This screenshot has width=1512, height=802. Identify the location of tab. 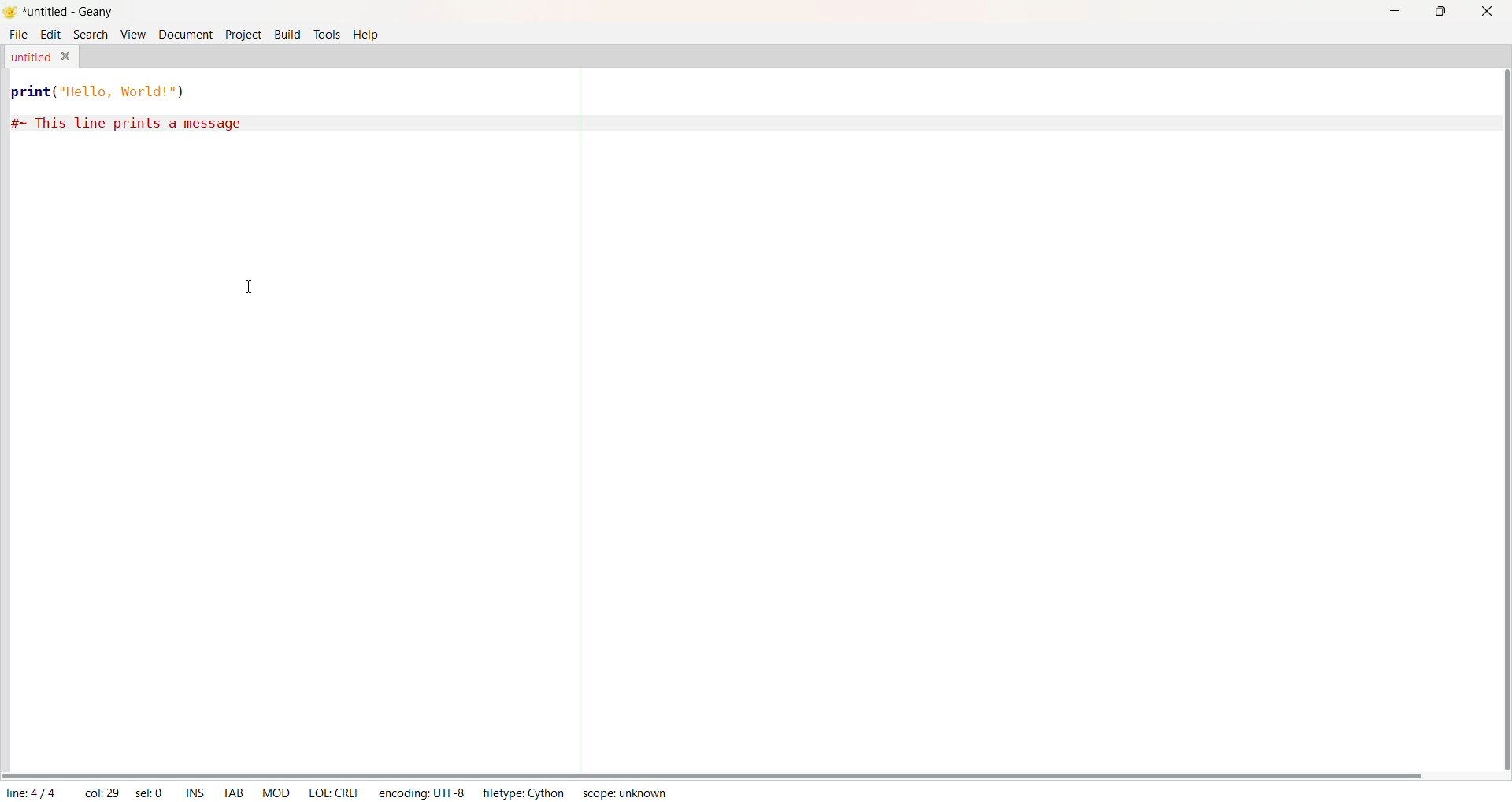
(233, 792).